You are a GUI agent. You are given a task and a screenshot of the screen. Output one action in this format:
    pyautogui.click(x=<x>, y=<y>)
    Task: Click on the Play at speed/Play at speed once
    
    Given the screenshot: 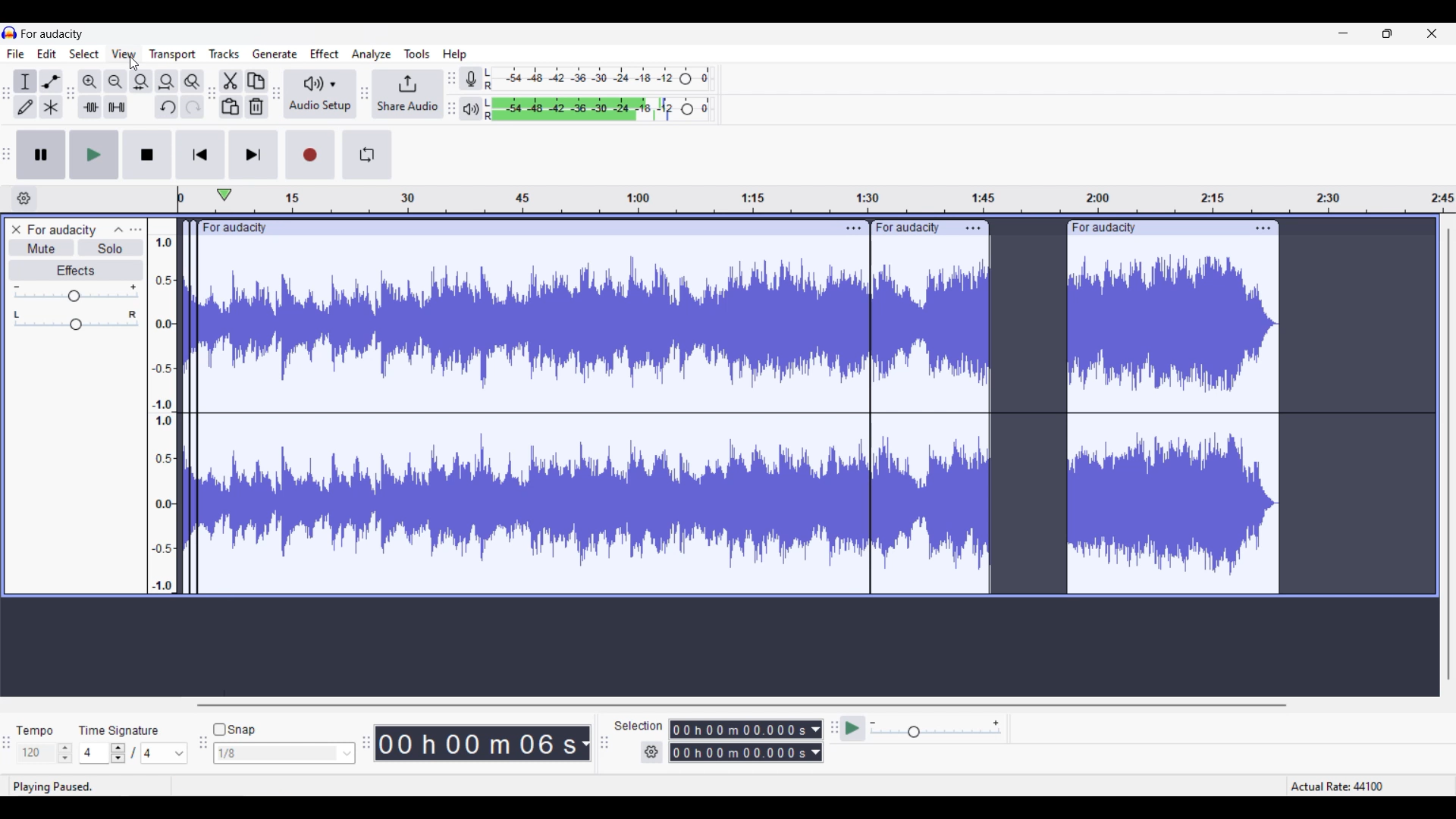 What is the action you would take?
    pyautogui.click(x=853, y=728)
    